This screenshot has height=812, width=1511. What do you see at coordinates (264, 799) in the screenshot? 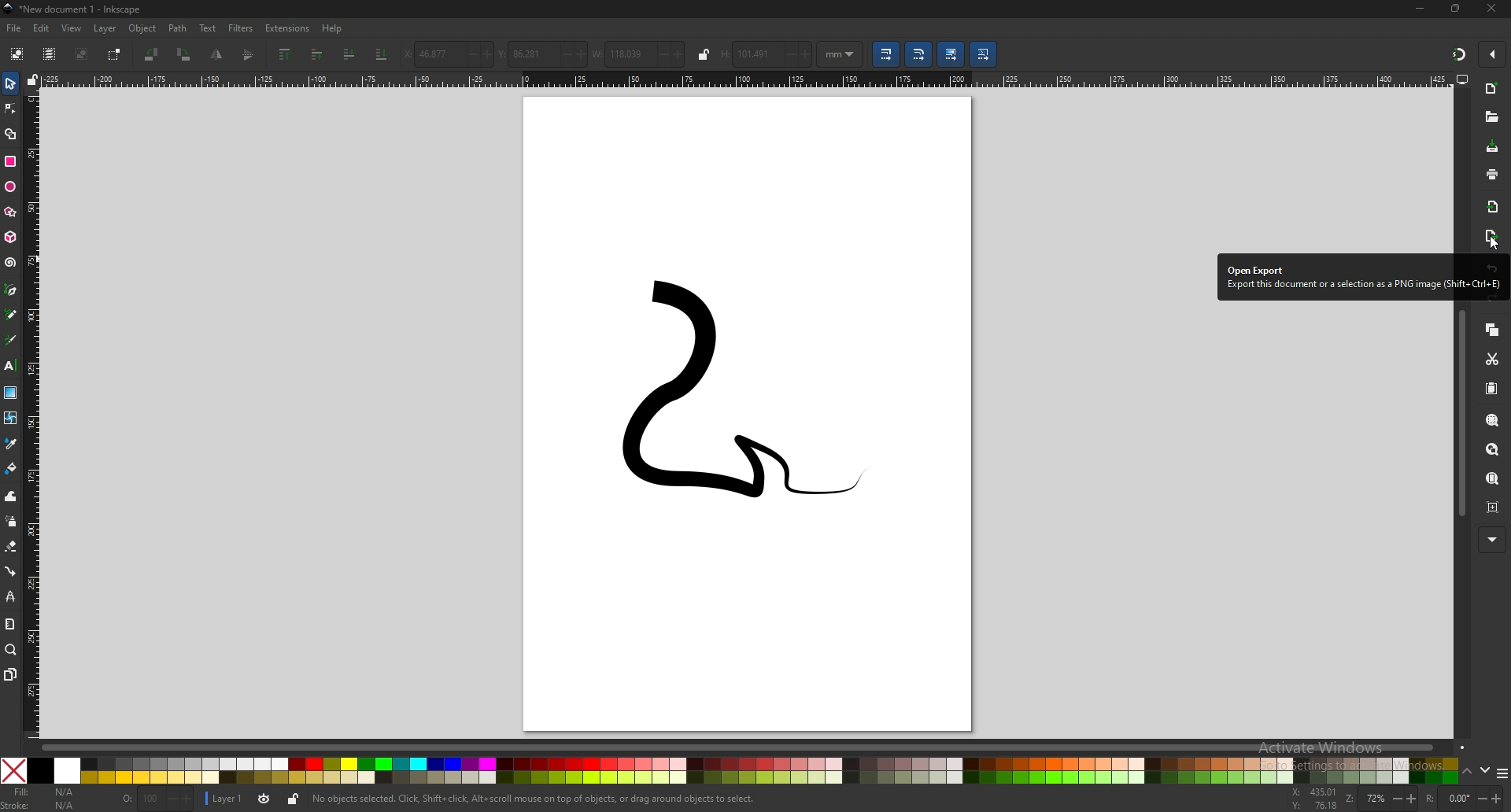
I see `toggle visibility` at bounding box center [264, 799].